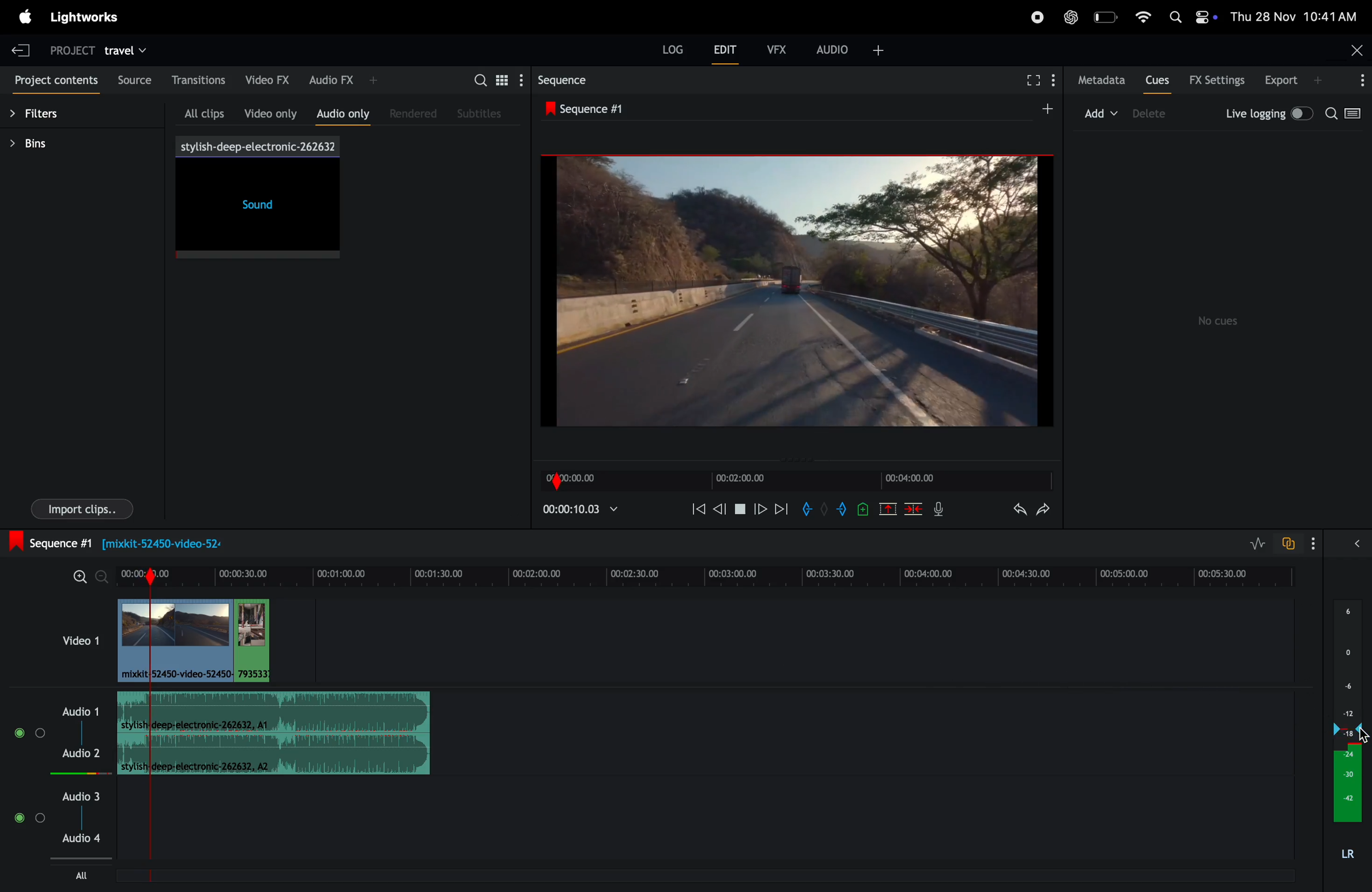 The width and height of the screenshot is (1372, 892). Describe the element at coordinates (1106, 16) in the screenshot. I see `battery` at that location.